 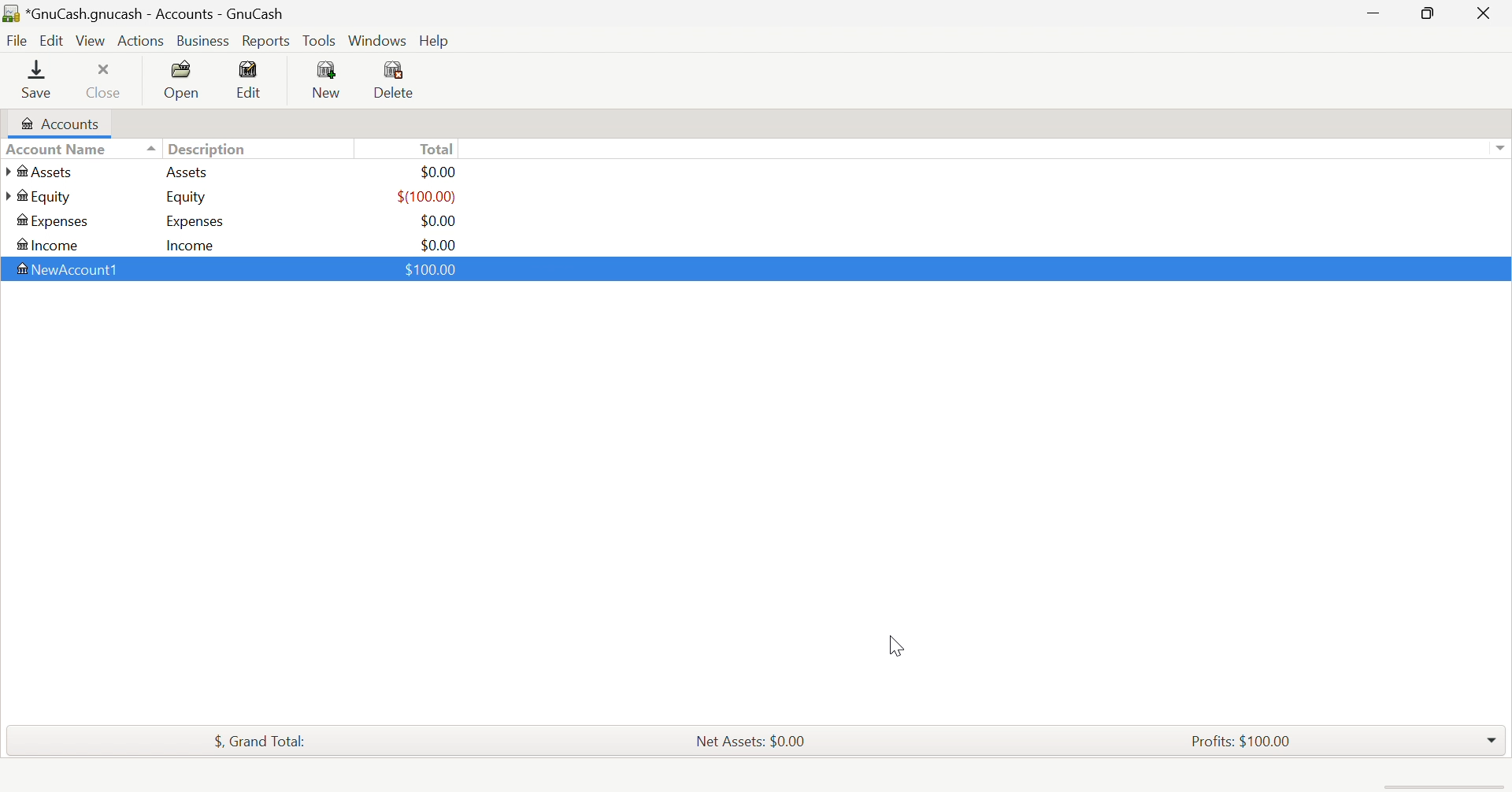 What do you see at coordinates (267, 41) in the screenshot?
I see `Reports` at bounding box center [267, 41].